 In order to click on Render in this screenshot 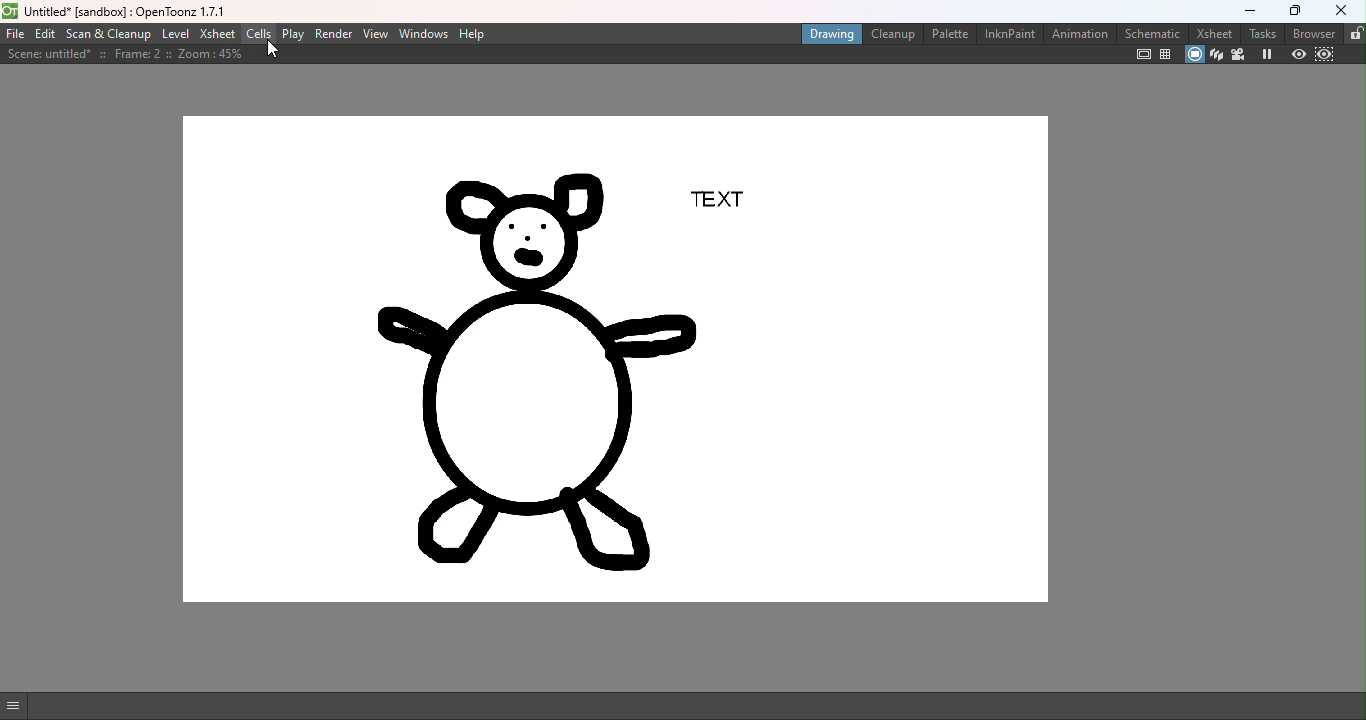, I will do `click(336, 35)`.